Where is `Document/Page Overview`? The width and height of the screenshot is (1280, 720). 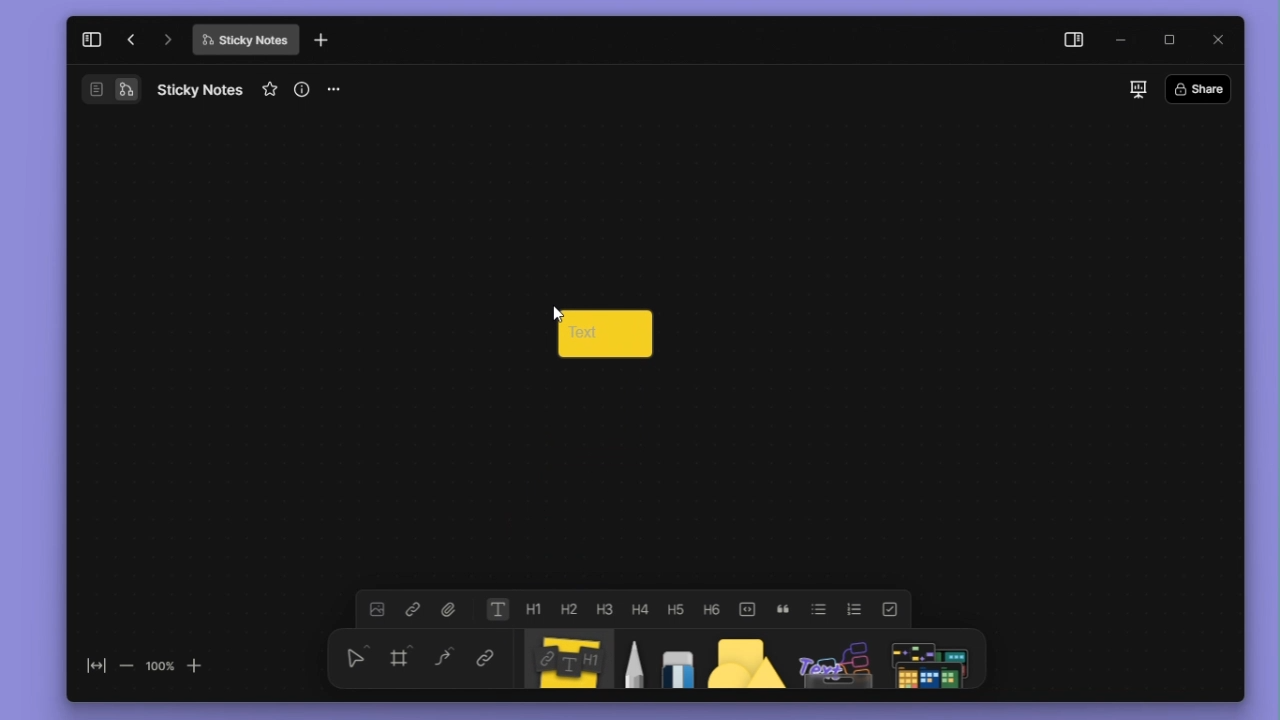 Document/Page Overview is located at coordinates (90, 91).